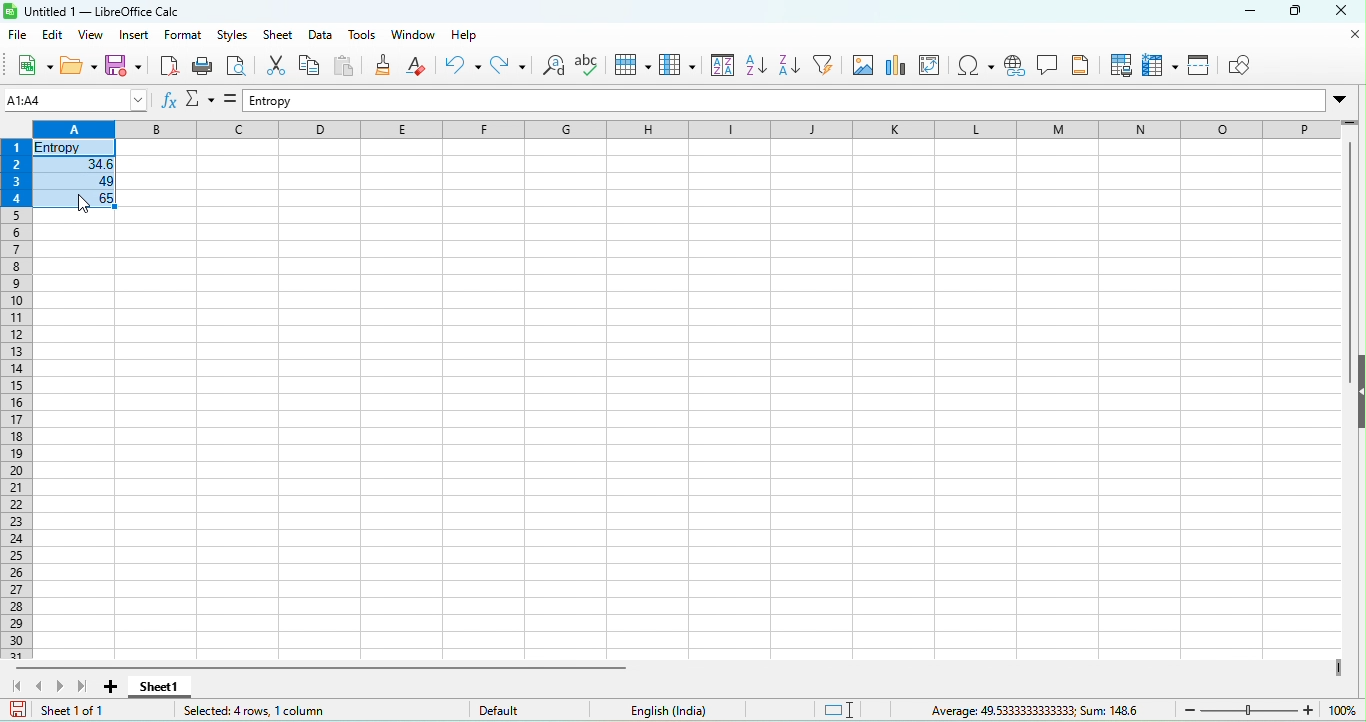  What do you see at coordinates (865, 66) in the screenshot?
I see `image` at bounding box center [865, 66].